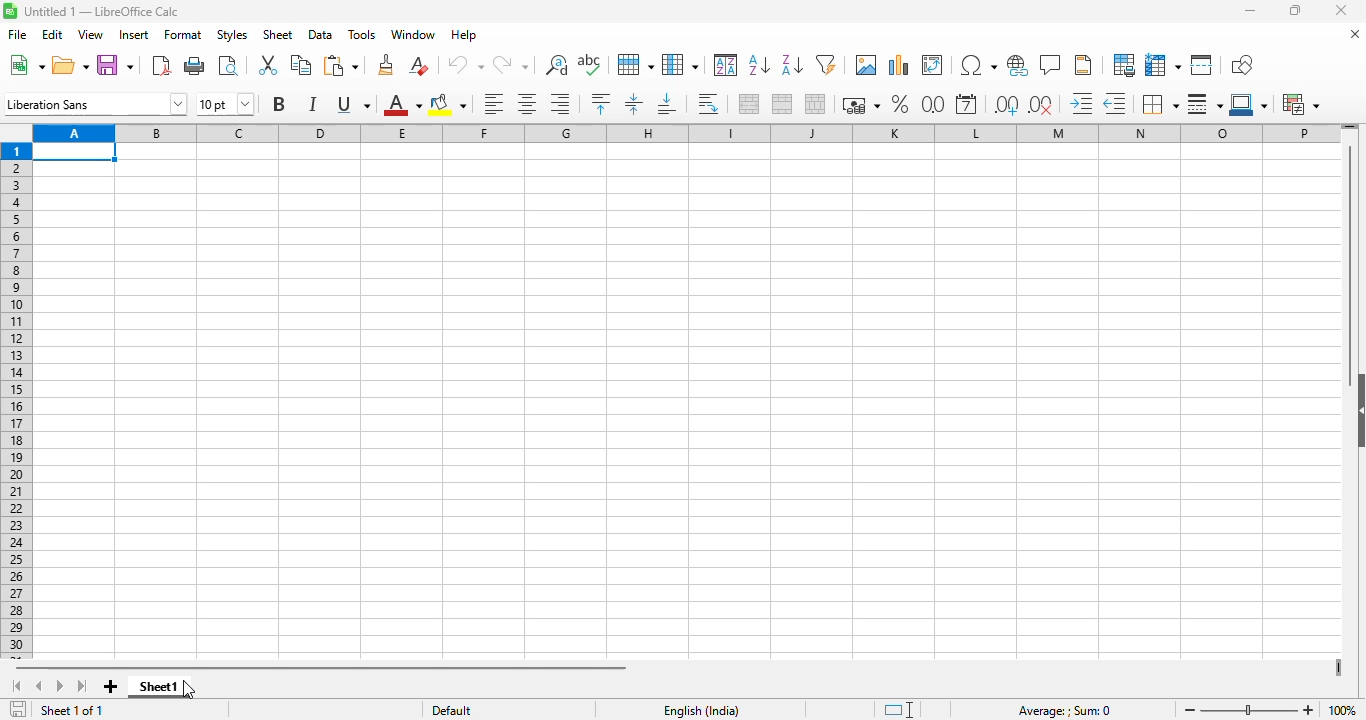  What do you see at coordinates (601, 104) in the screenshot?
I see `align top` at bounding box center [601, 104].